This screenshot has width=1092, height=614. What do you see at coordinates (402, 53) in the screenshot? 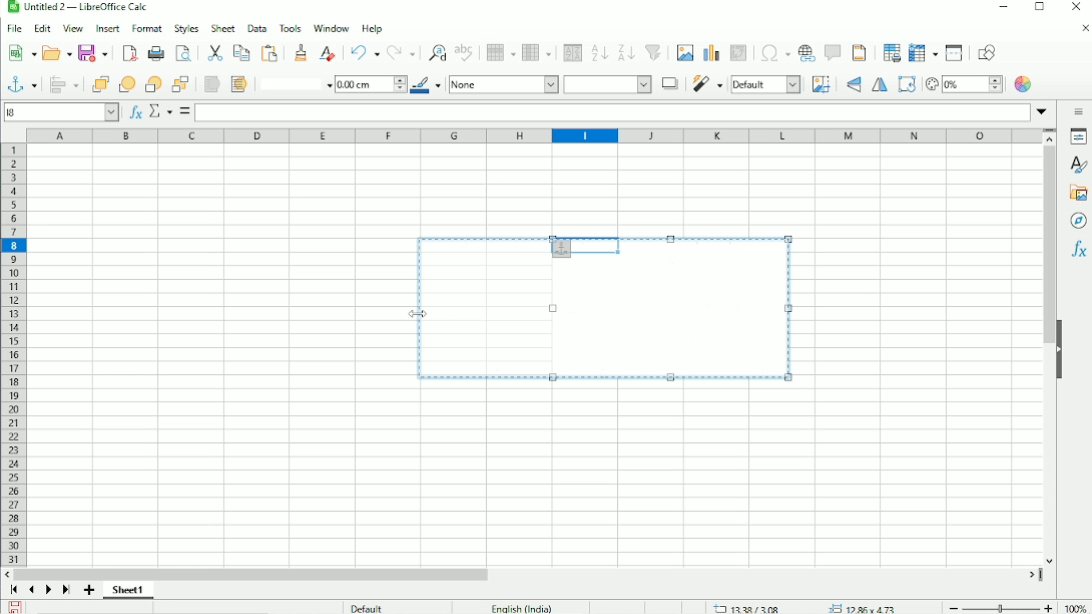
I see `Redo` at bounding box center [402, 53].